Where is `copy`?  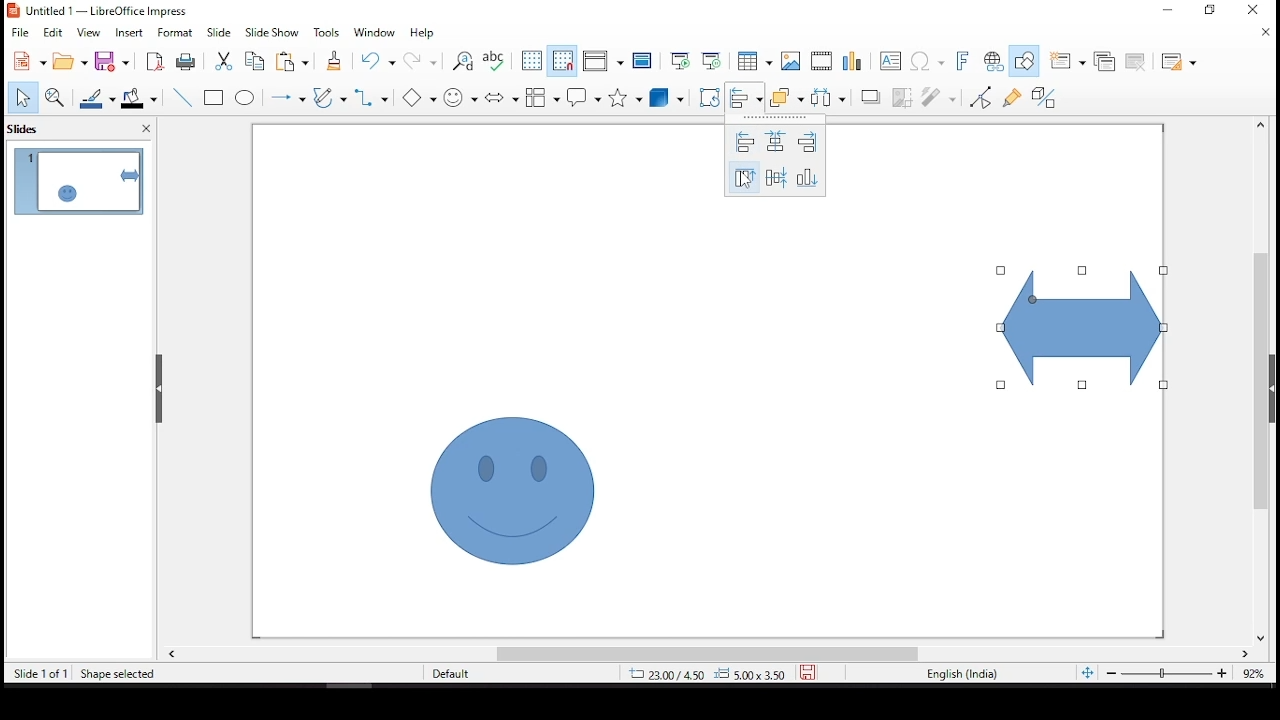 copy is located at coordinates (251, 61).